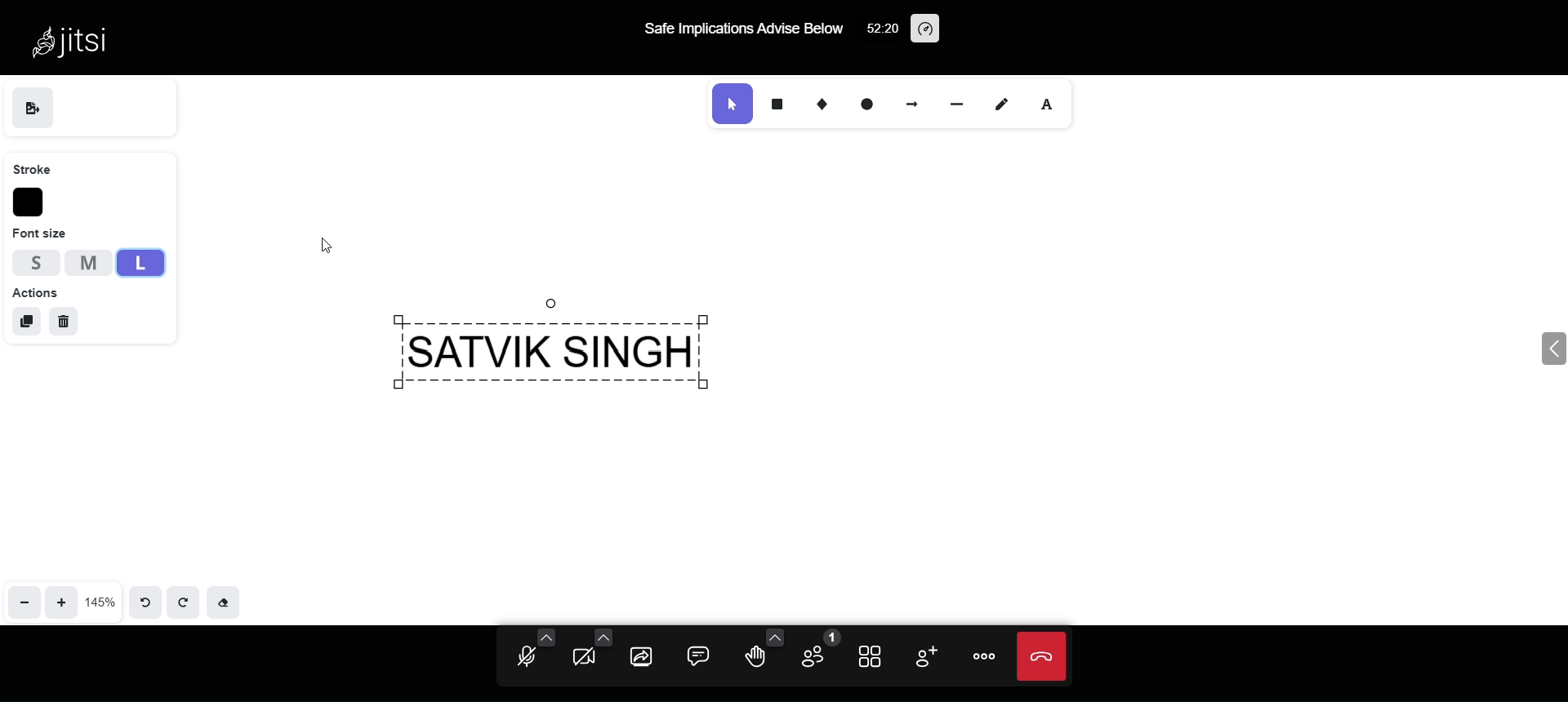 Image resolution: width=1568 pixels, height=702 pixels. What do you see at coordinates (700, 655) in the screenshot?
I see `open chat box` at bounding box center [700, 655].